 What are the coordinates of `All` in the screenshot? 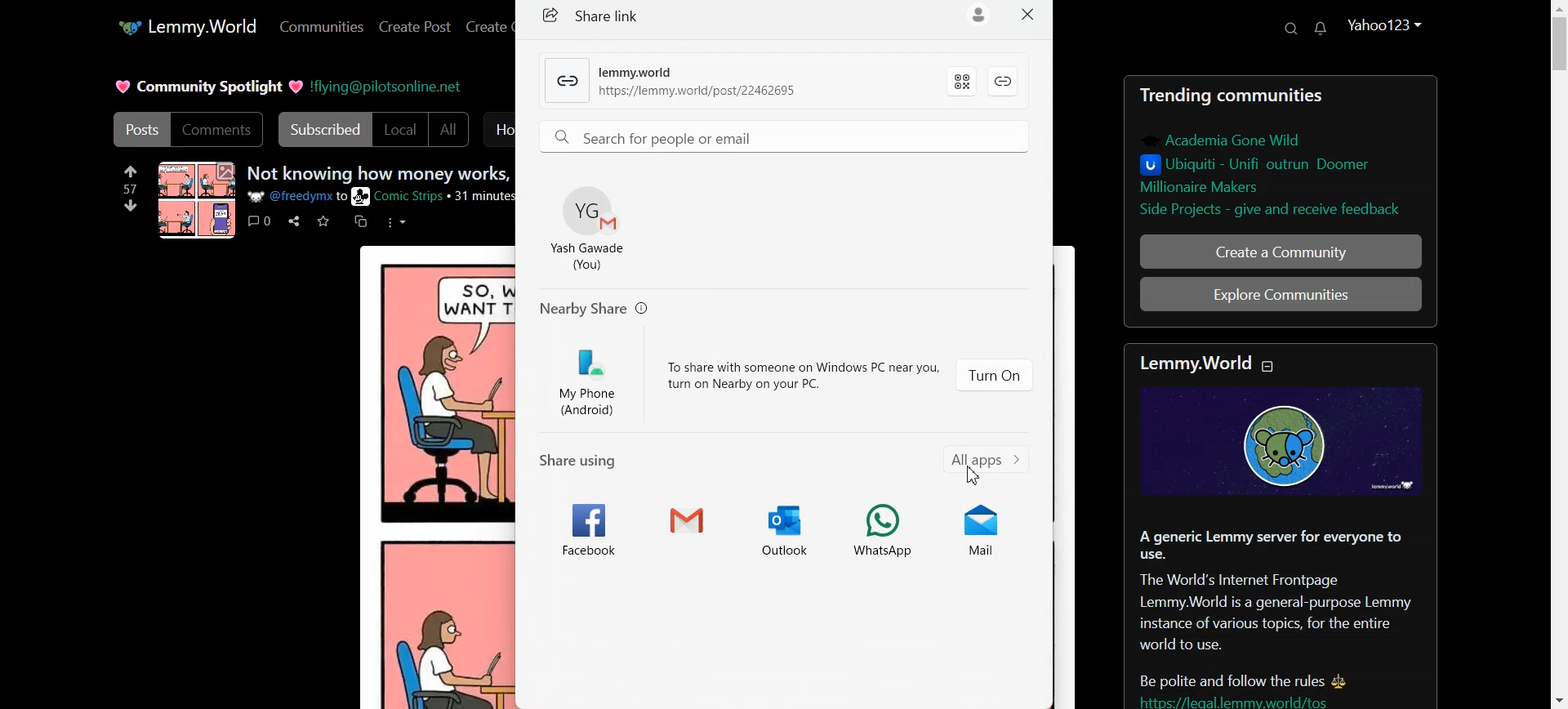 It's located at (449, 129).